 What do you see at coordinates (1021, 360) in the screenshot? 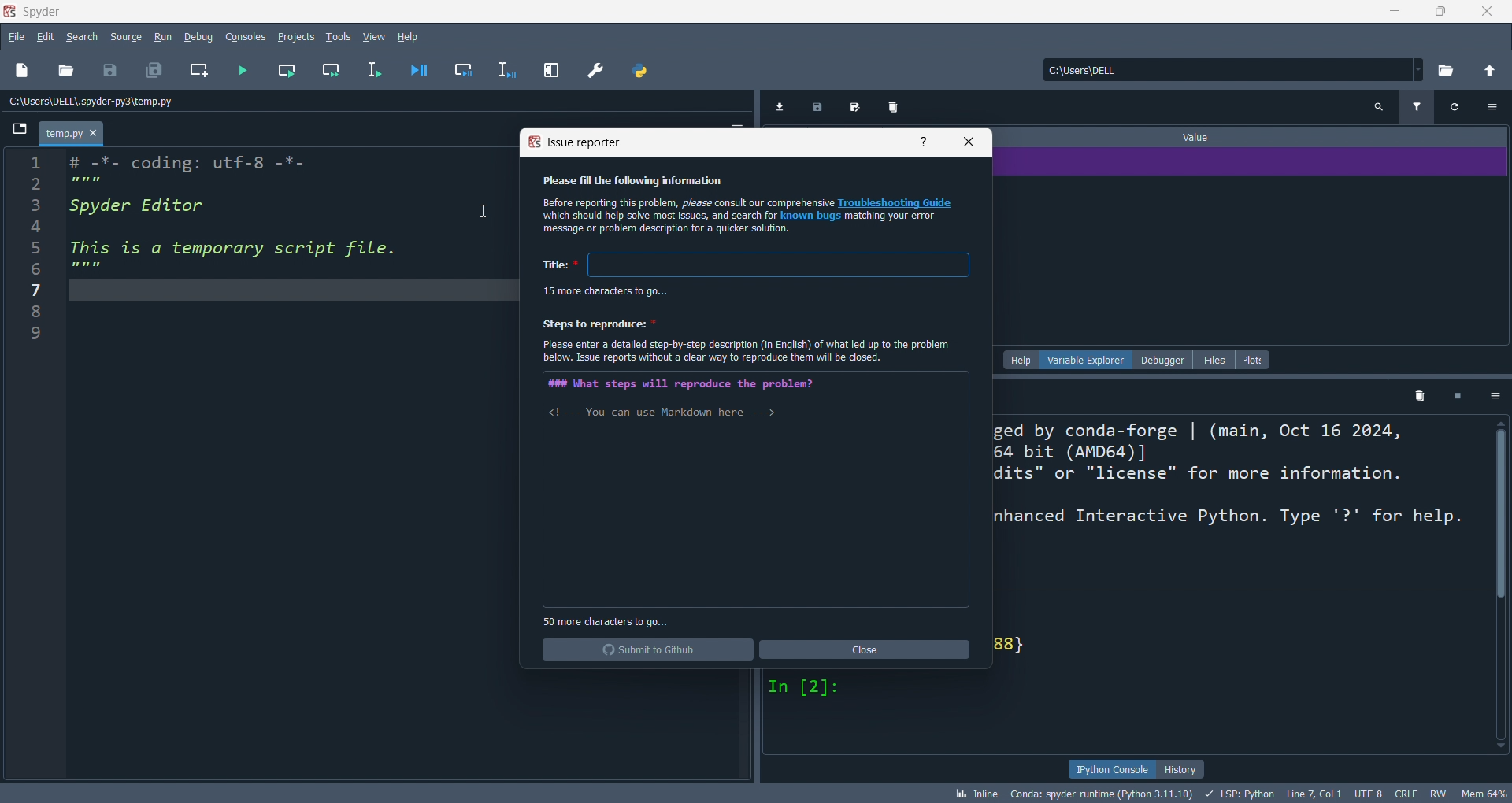
I see `help` at bounding box center [1021, 360].